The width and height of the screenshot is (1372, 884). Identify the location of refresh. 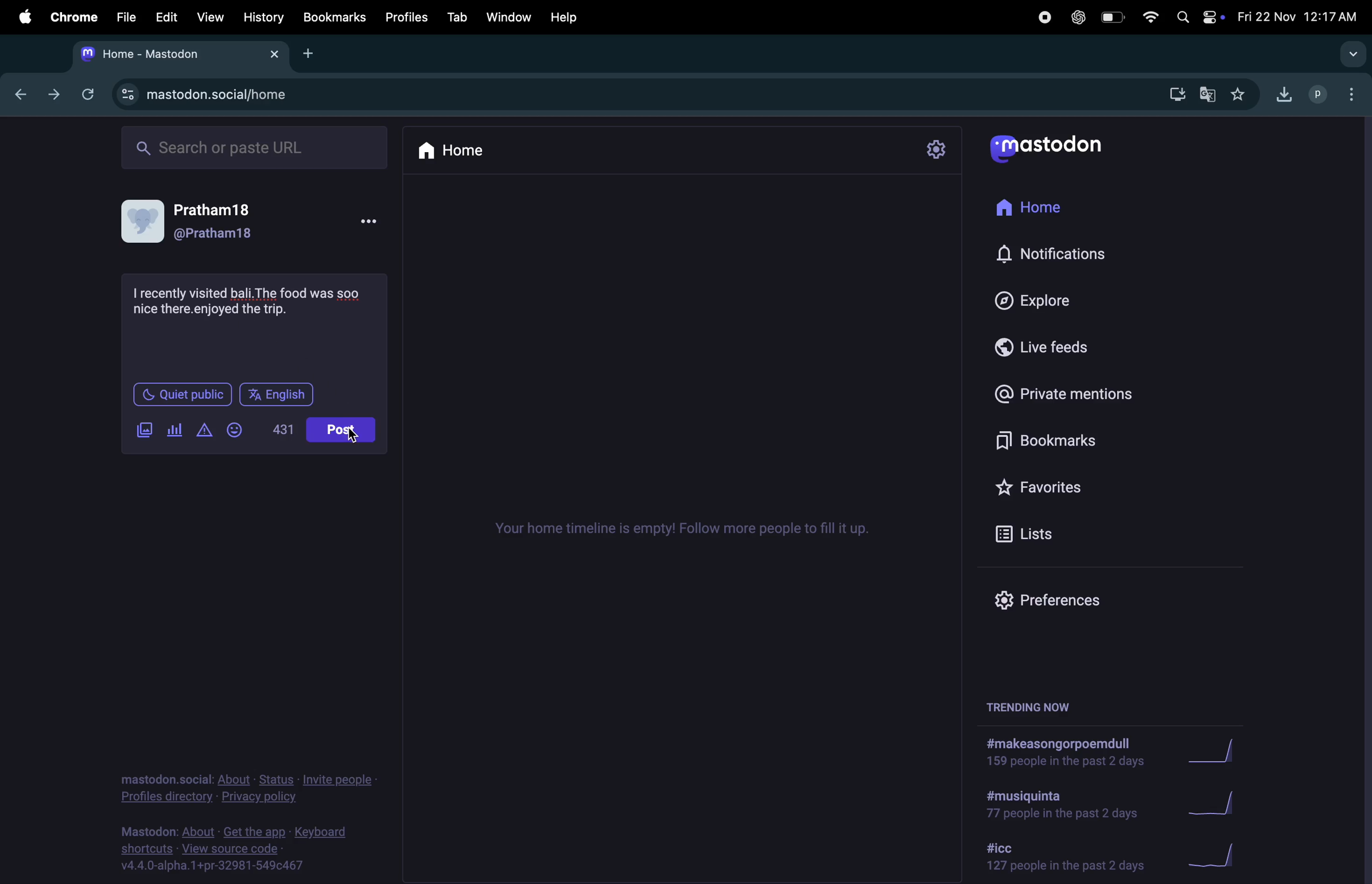
(87, 92).